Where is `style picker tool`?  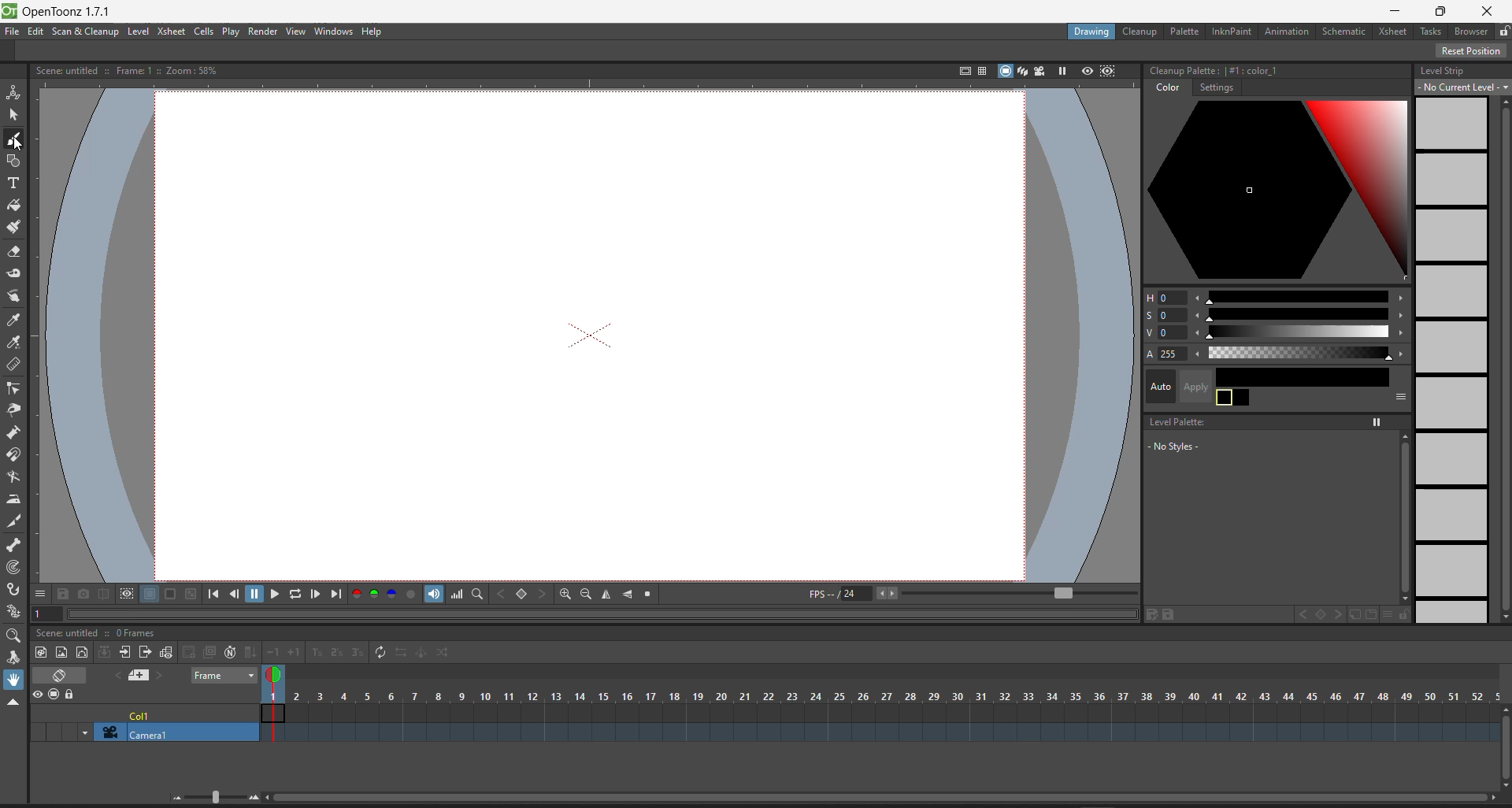 style picker tool is located at coordinates (16, 321).